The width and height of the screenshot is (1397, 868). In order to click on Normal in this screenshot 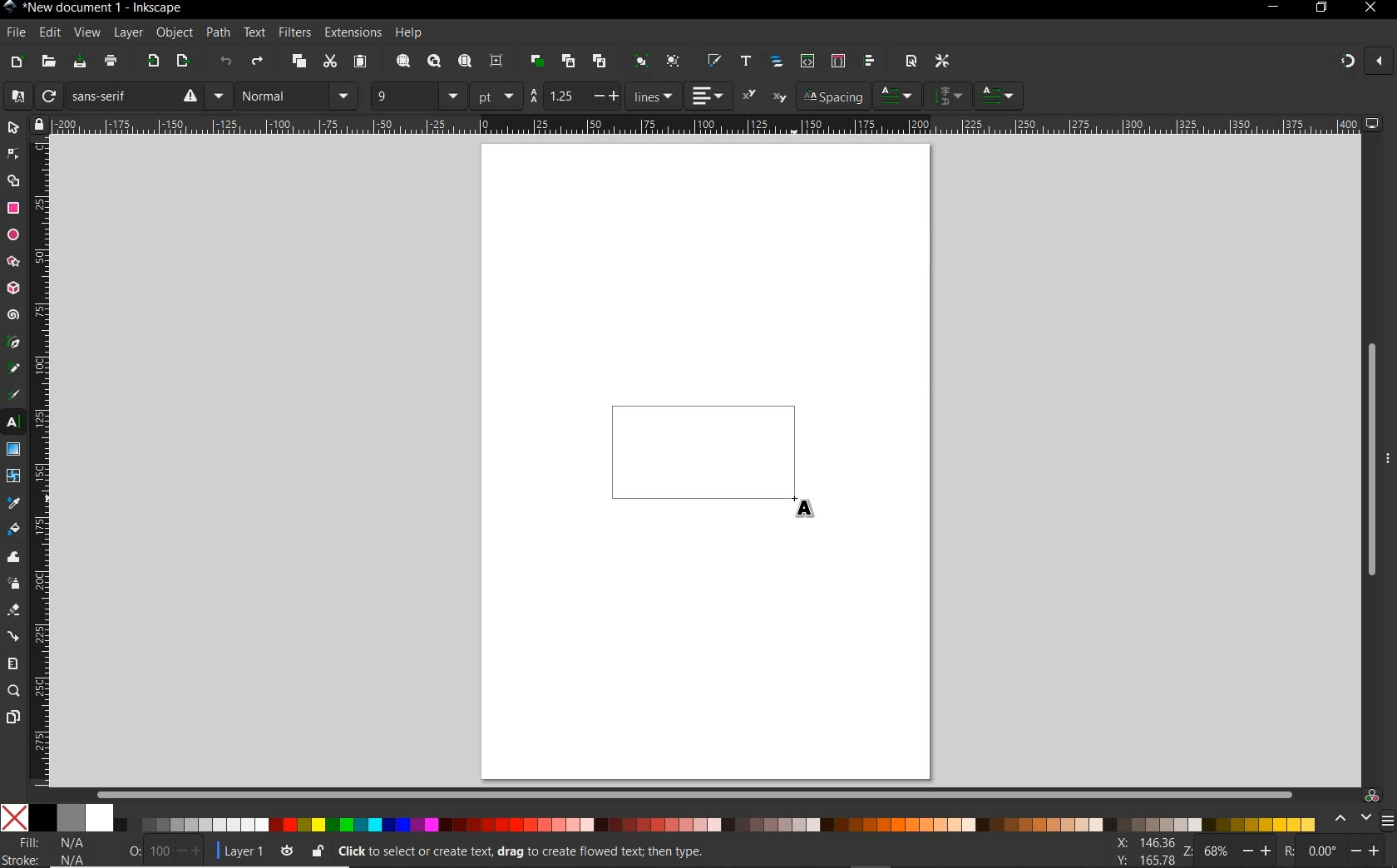, I will do `click(281, 96)`.